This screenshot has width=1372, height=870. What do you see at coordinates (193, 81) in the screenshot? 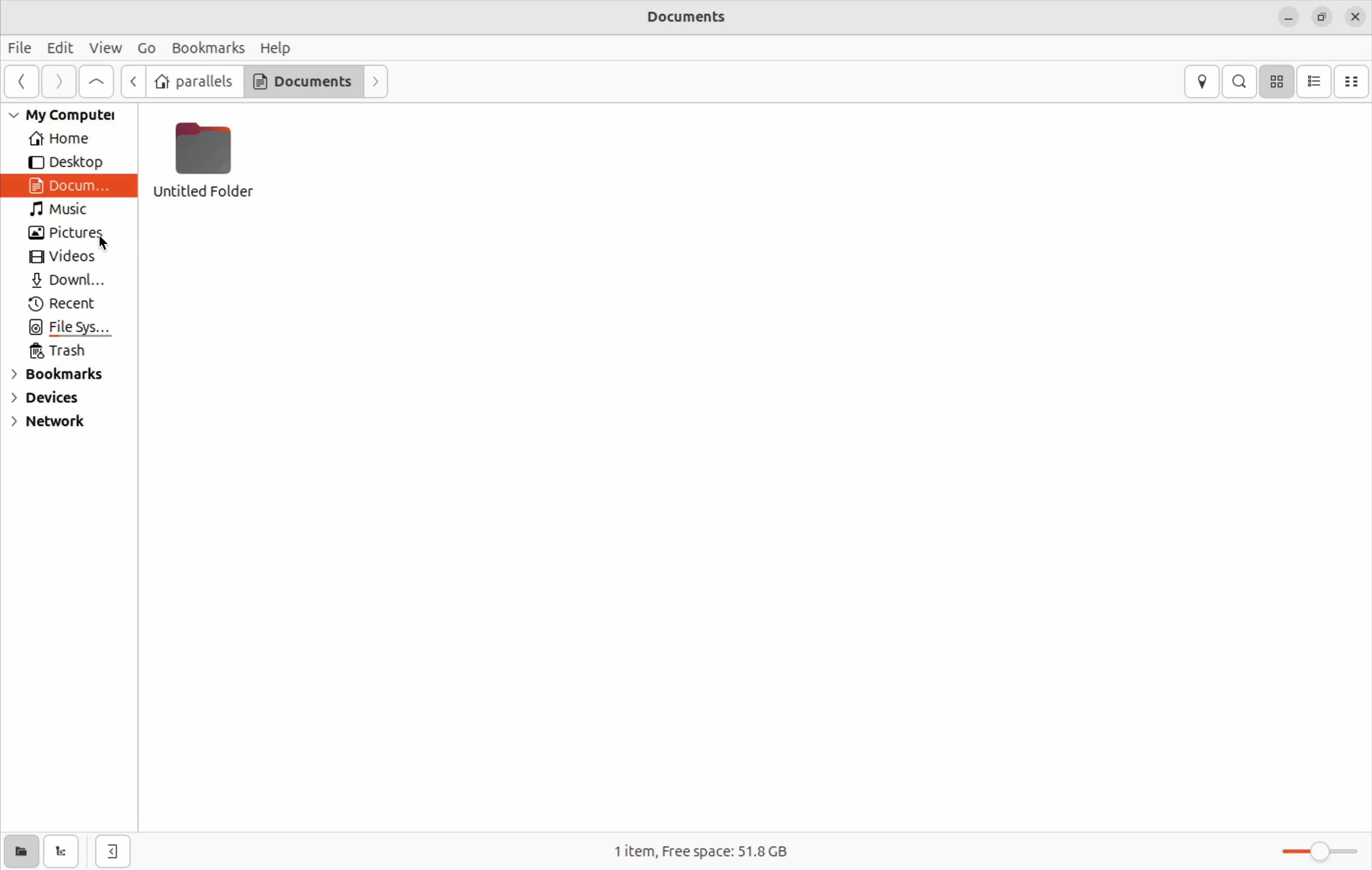
I see `parallels` at bounding box center [193, 81].